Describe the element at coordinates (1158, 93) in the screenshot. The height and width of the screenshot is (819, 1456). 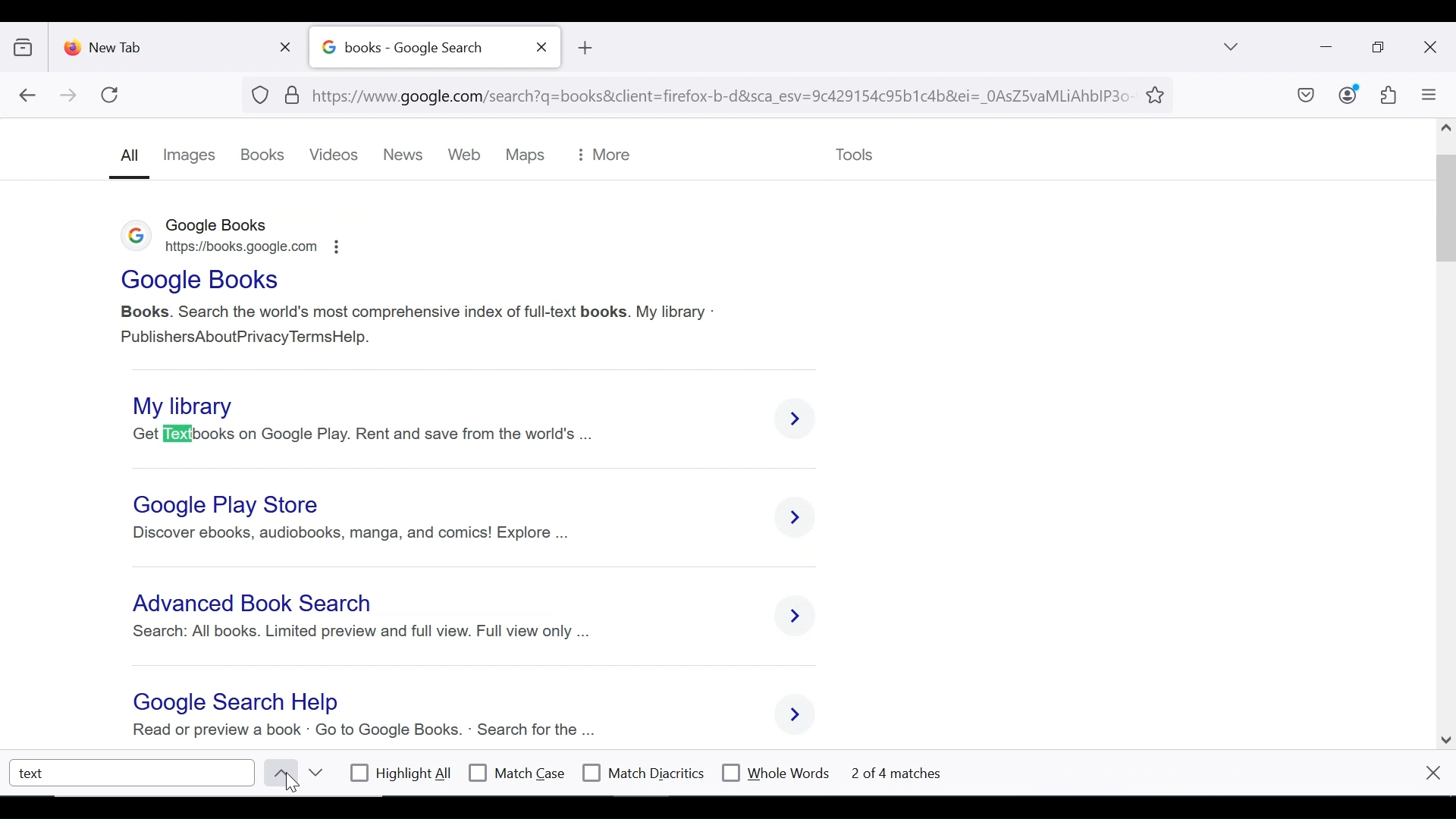
I see `bookmark this tab` at that location.